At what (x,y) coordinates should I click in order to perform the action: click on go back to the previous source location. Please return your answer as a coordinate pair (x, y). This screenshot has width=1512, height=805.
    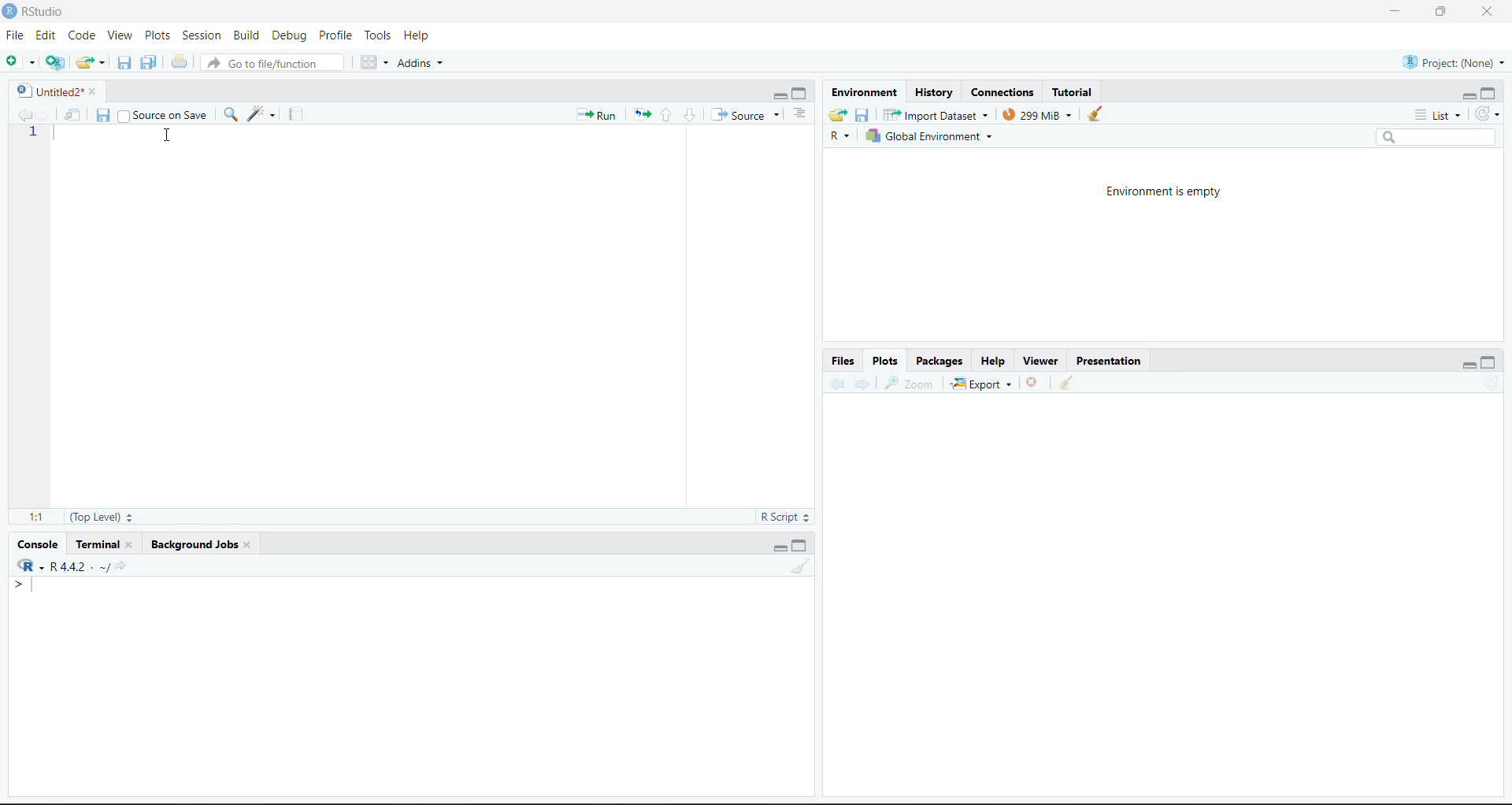
    Looking at the image, I should click on (25, 114).